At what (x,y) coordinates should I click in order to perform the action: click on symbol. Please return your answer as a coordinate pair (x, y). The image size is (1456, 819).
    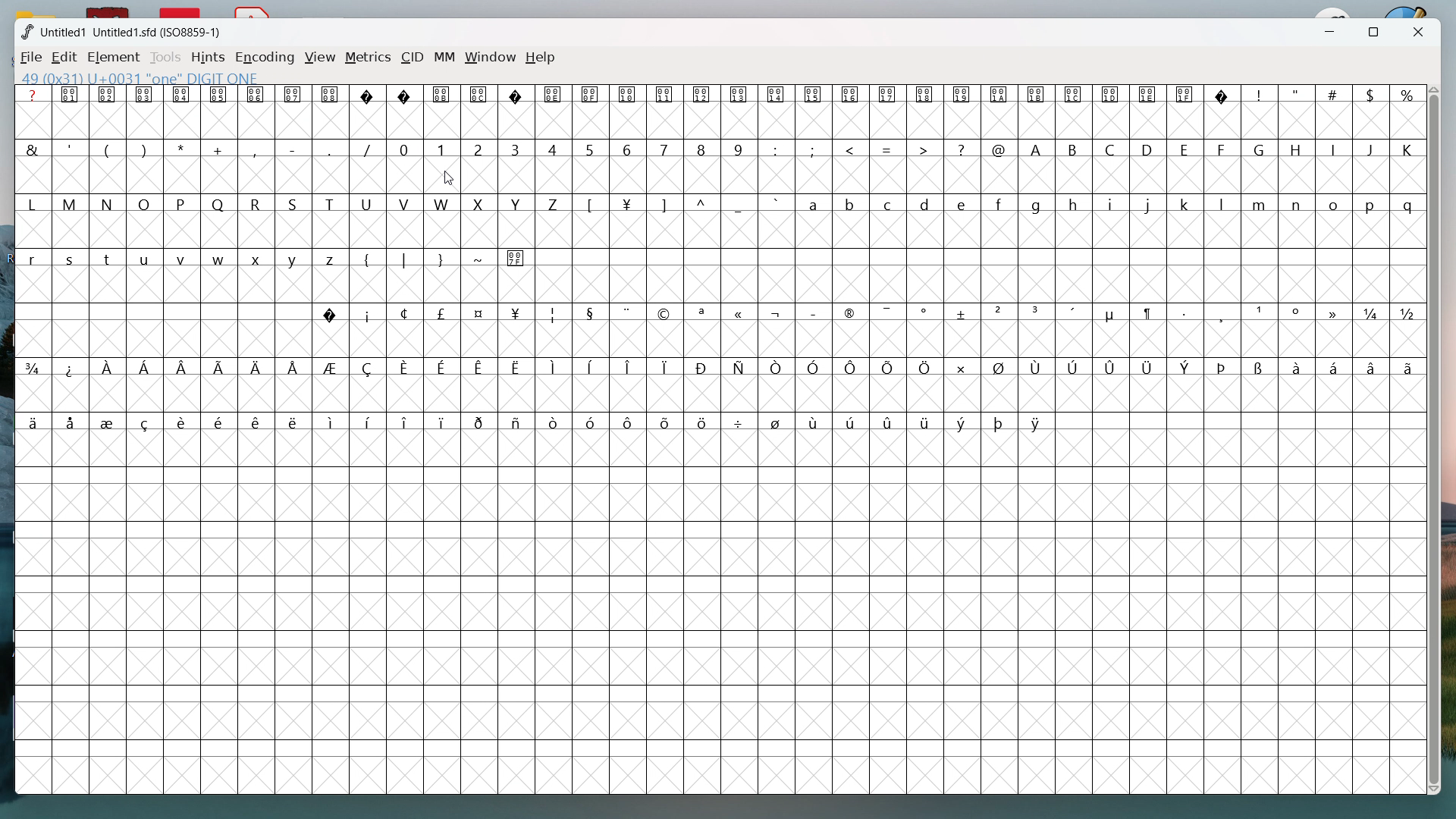
    Looking at the image, I should click on (408, 367).